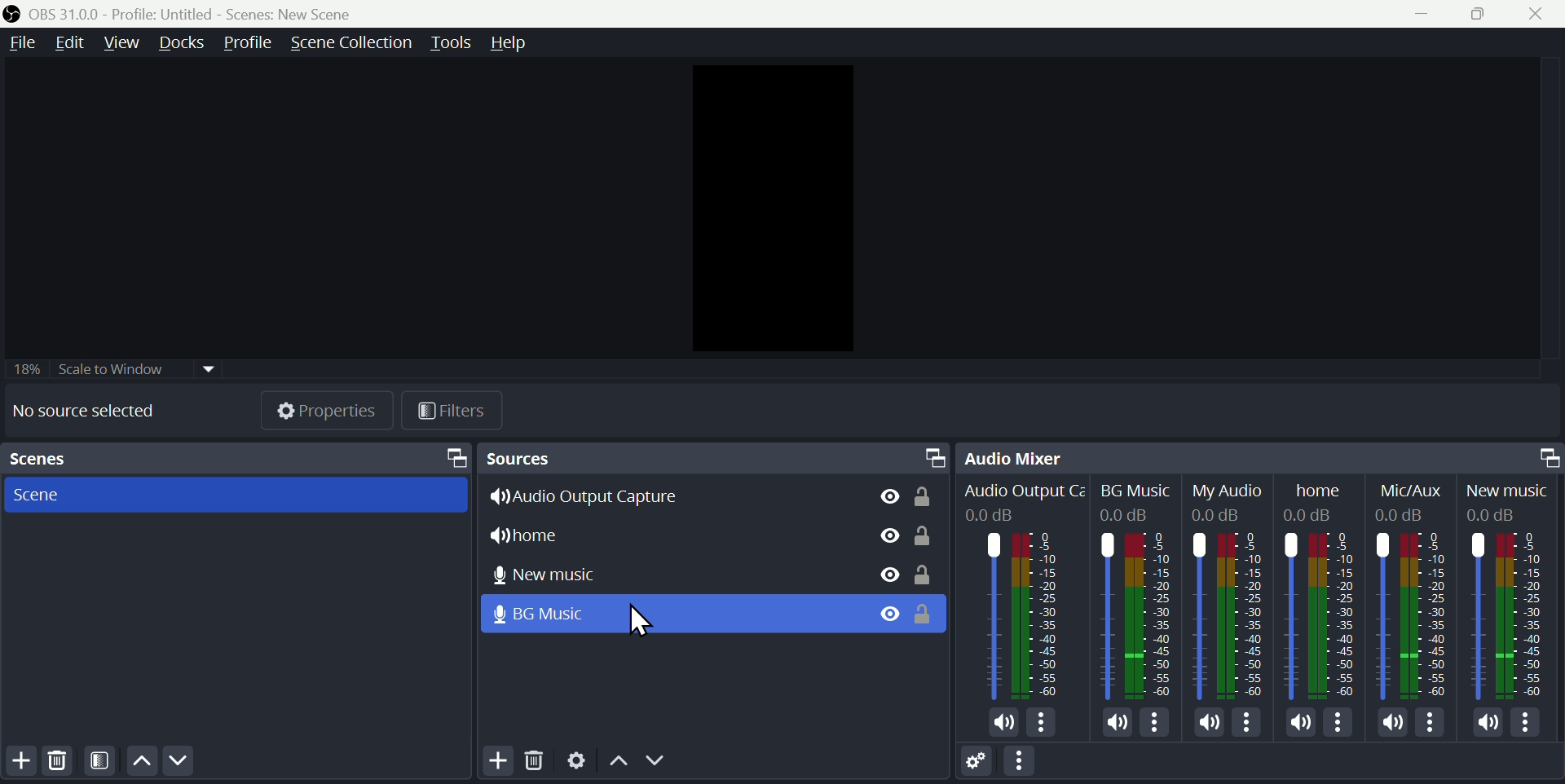  I want to click on 18%, so click(24, 364).